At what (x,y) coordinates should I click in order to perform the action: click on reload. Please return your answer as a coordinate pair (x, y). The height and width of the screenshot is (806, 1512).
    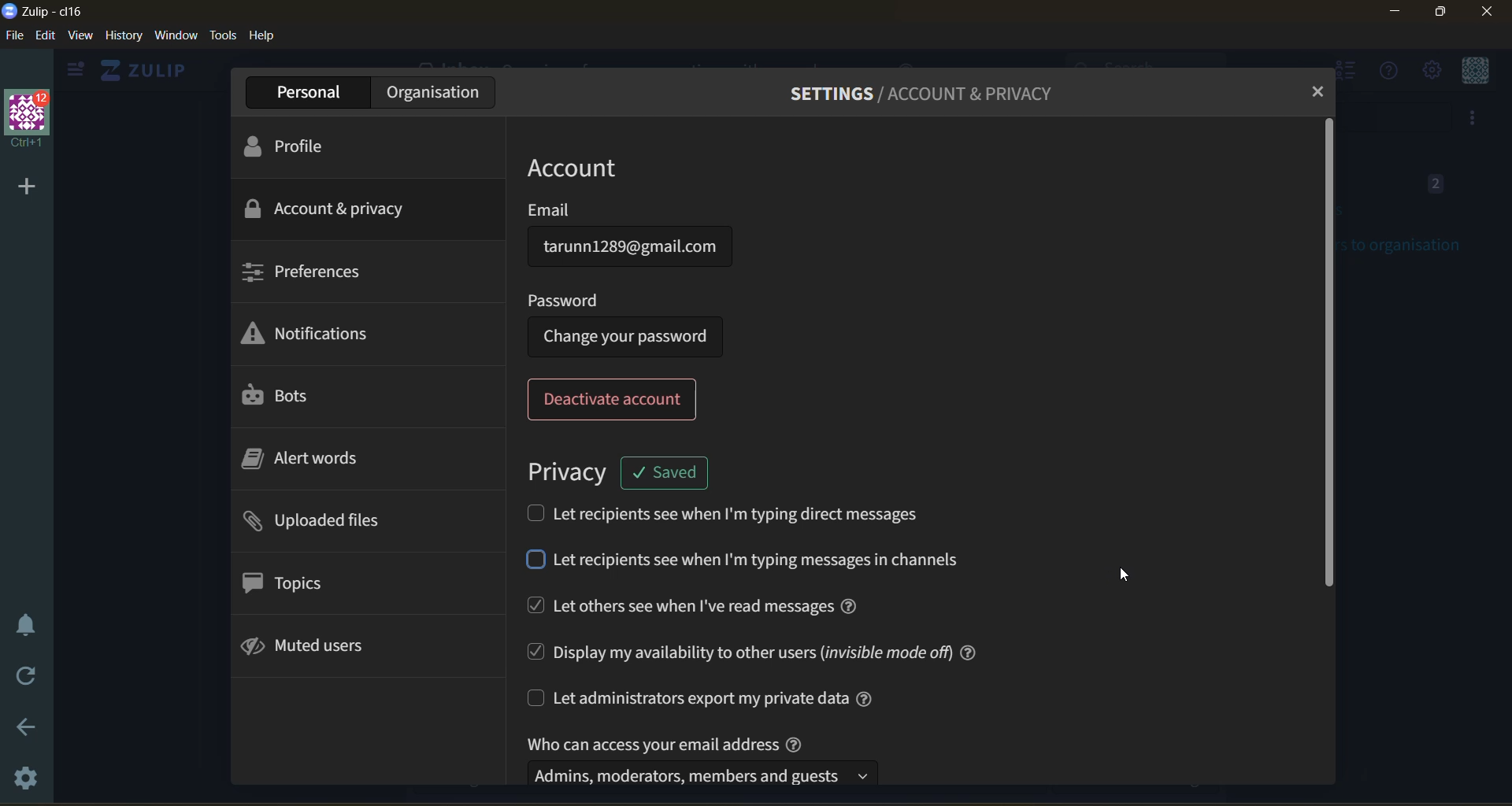
    Looking at the image, I should click on (28, 677).